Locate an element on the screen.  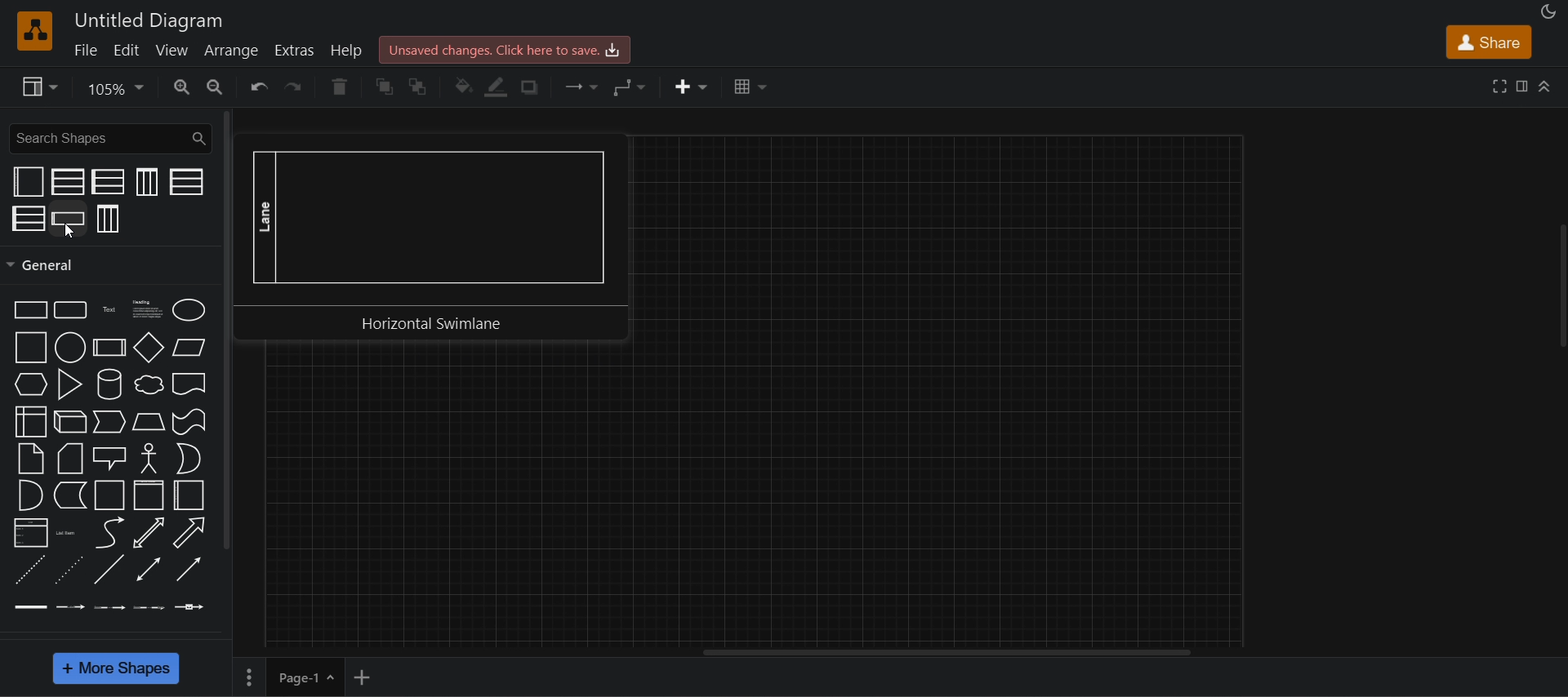
vertical container is located at coordinates (149, 495).